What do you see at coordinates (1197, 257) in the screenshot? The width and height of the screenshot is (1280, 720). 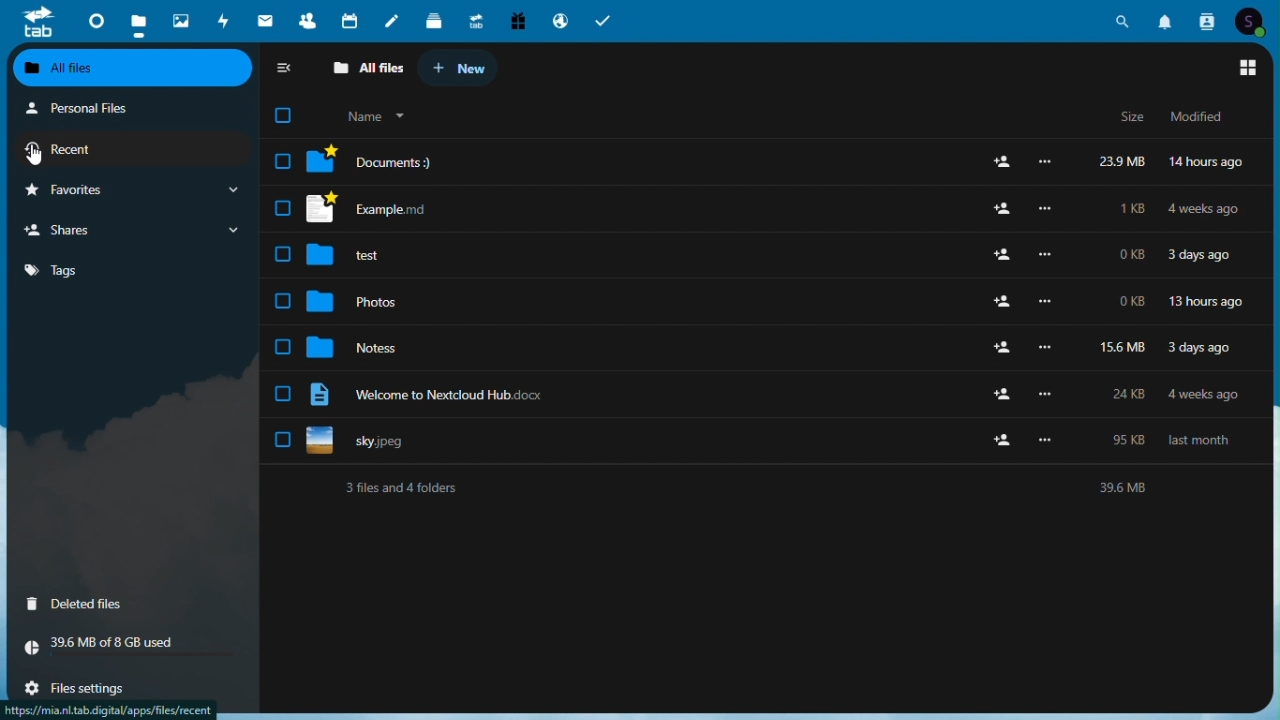 I see `3 days ago` at bounding box center [1197, 257].